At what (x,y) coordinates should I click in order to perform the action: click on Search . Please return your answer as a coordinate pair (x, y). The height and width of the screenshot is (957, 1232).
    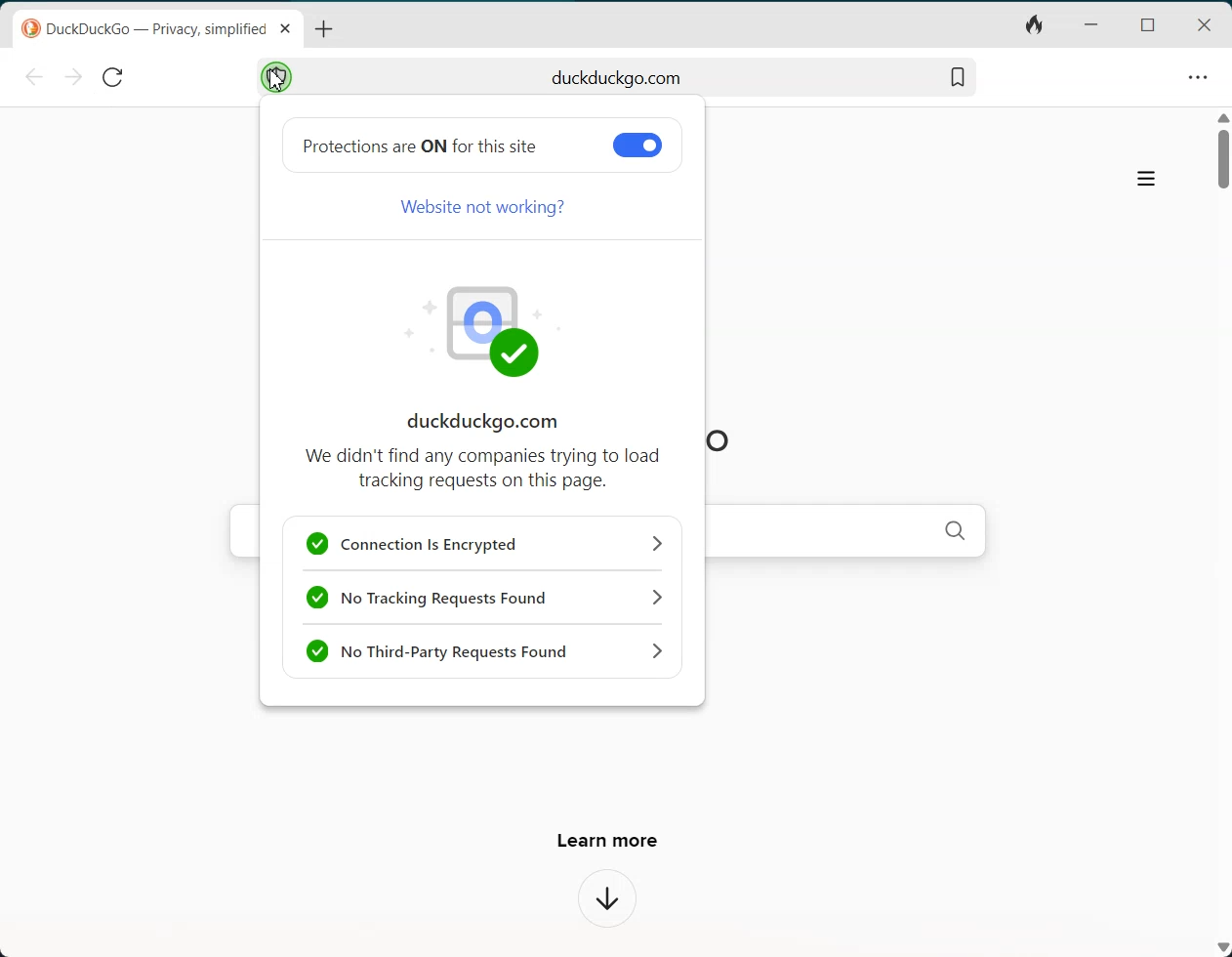
    Looking at the image, I should click on (957, 529).